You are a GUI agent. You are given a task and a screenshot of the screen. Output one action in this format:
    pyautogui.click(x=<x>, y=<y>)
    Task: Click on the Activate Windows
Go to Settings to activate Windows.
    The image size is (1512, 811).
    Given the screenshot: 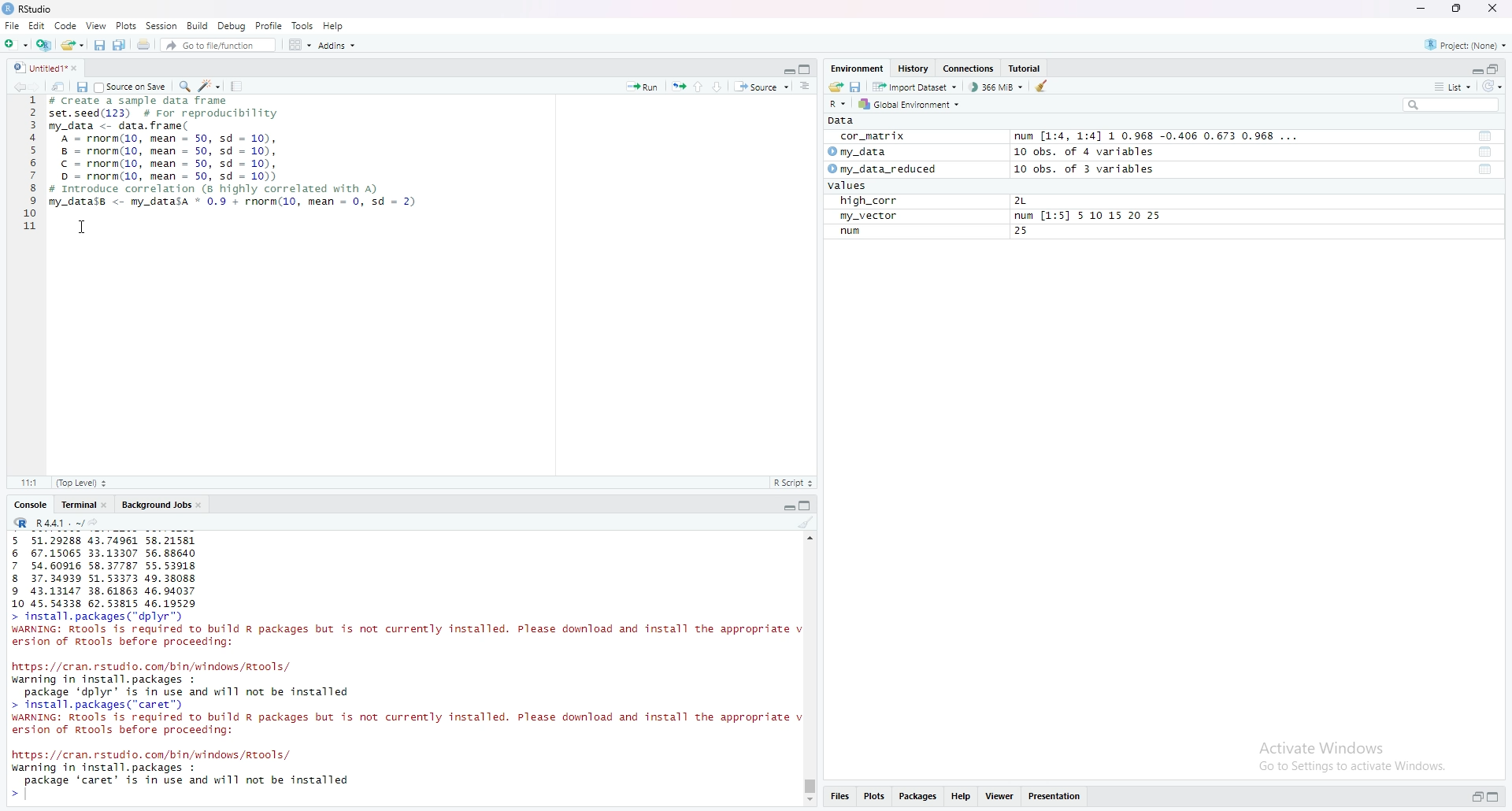 What is the action you would take?
    pyautogui.click(x=1354, y=758)
    